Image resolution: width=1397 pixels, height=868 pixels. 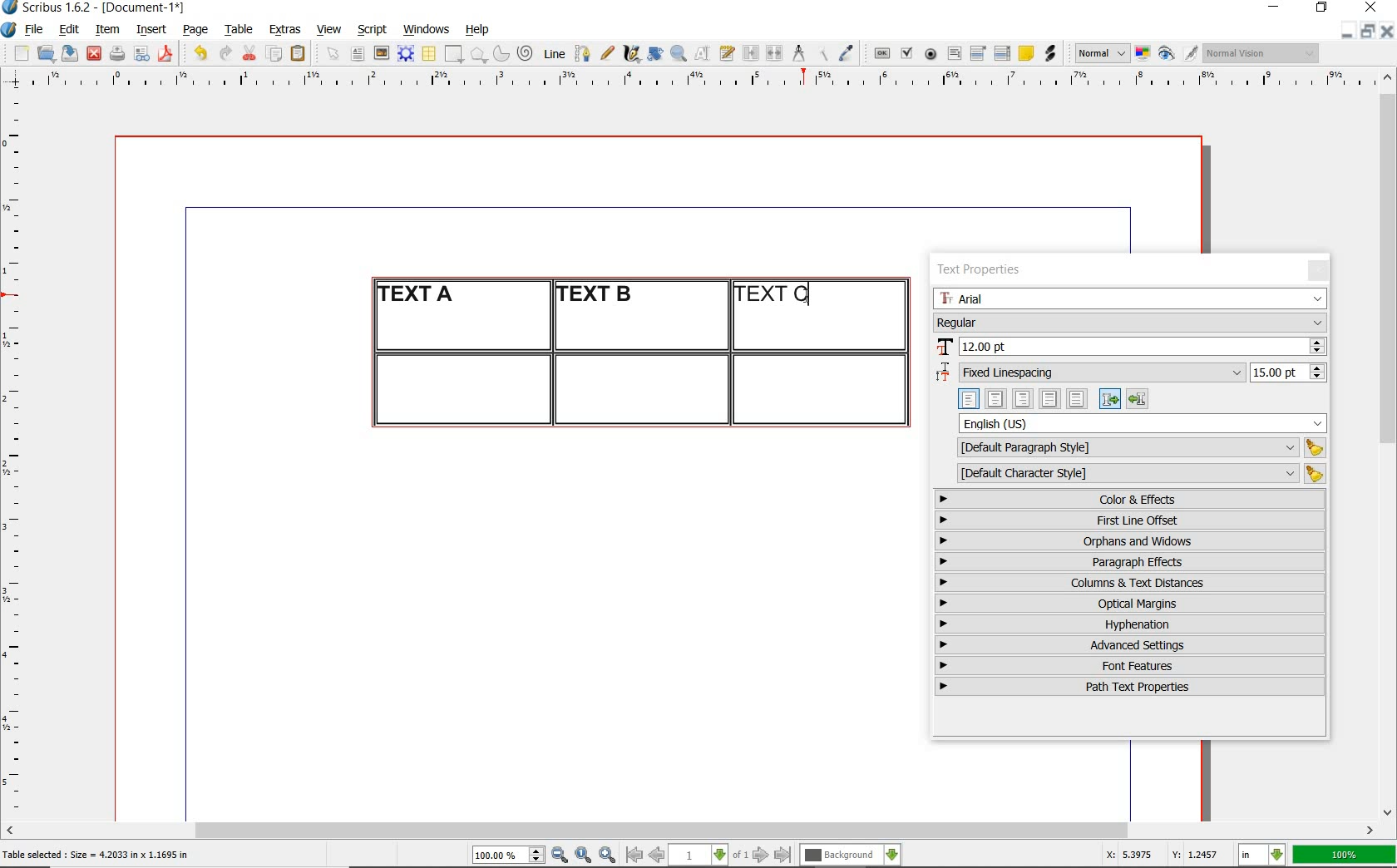 I want to click on measurements, so click(x=798, y=54).